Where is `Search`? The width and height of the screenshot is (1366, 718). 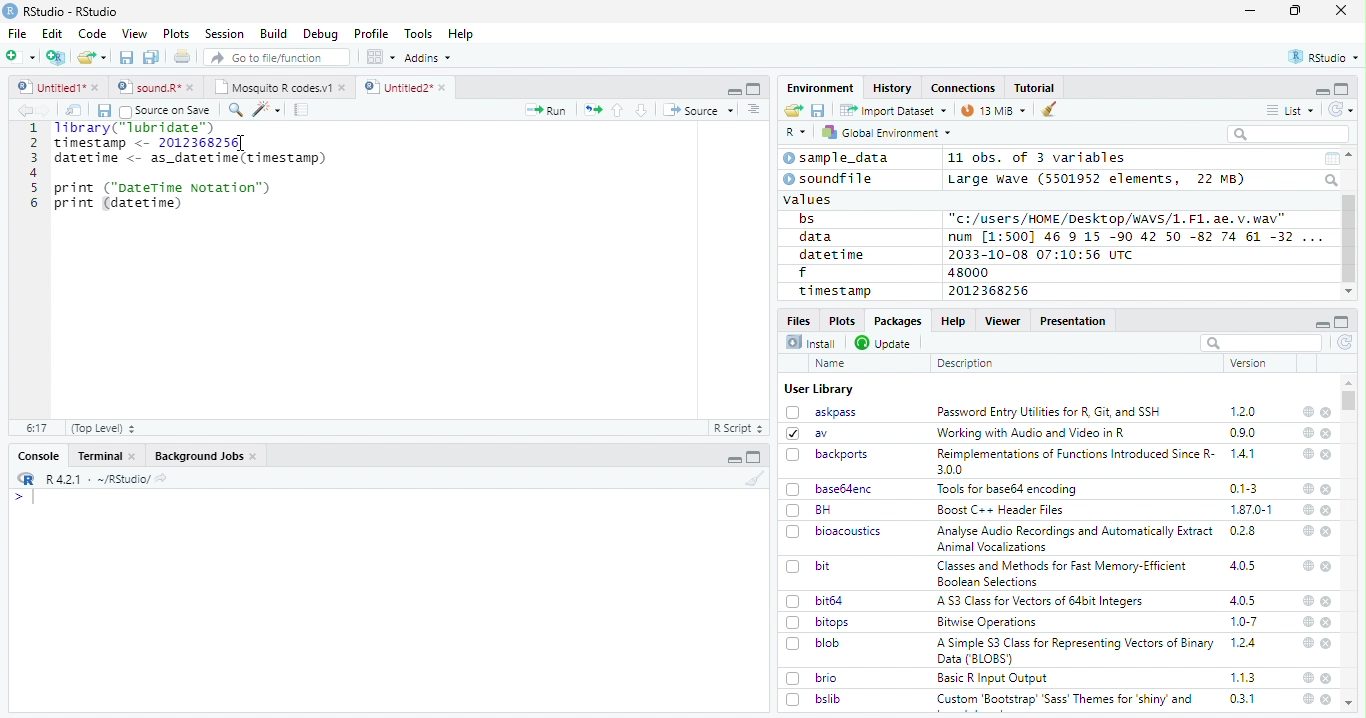 Search is located at coordinates (1333, 180).